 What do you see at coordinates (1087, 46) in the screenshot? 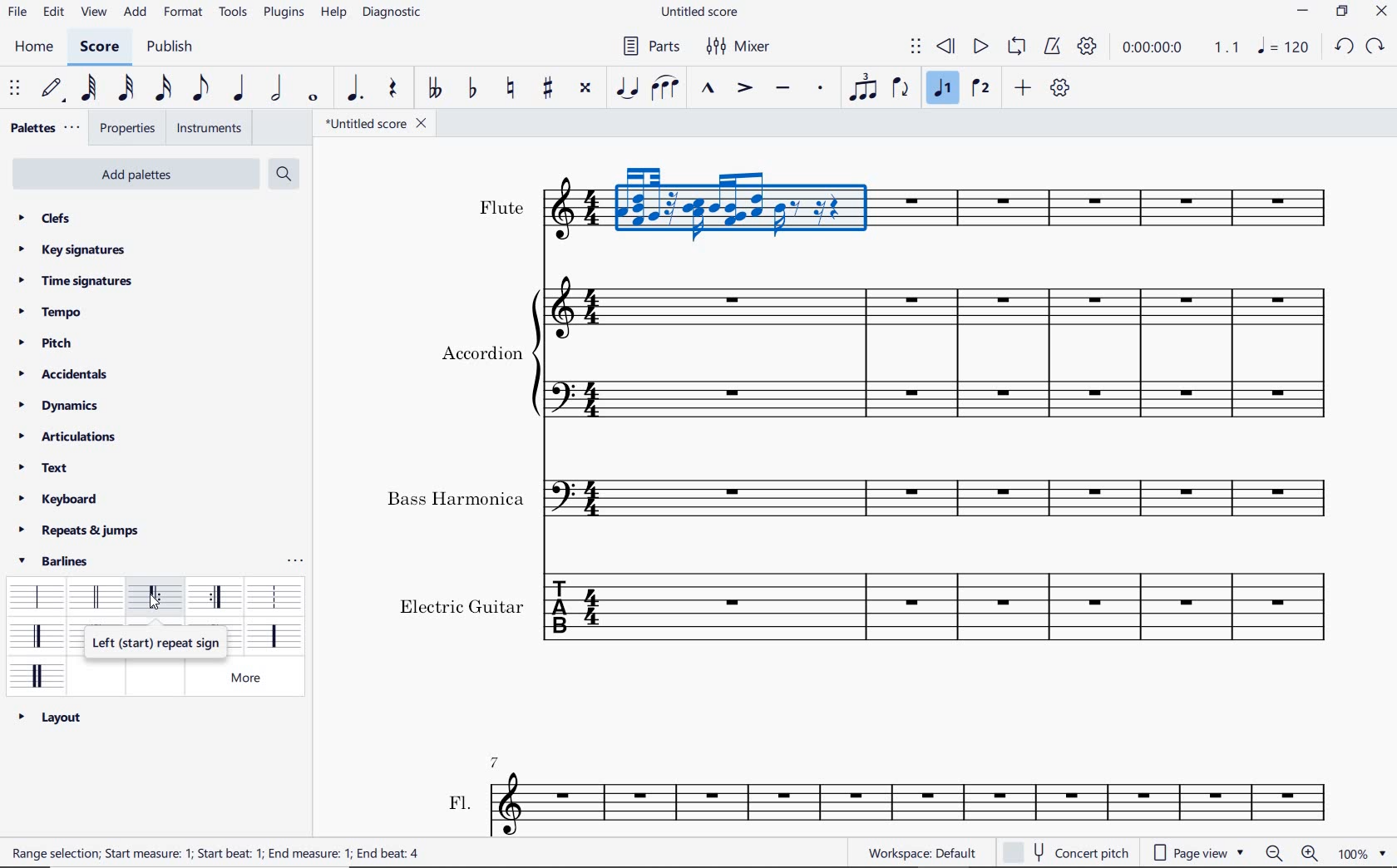
I see `playback settings` at bounding box center [1087, 46].